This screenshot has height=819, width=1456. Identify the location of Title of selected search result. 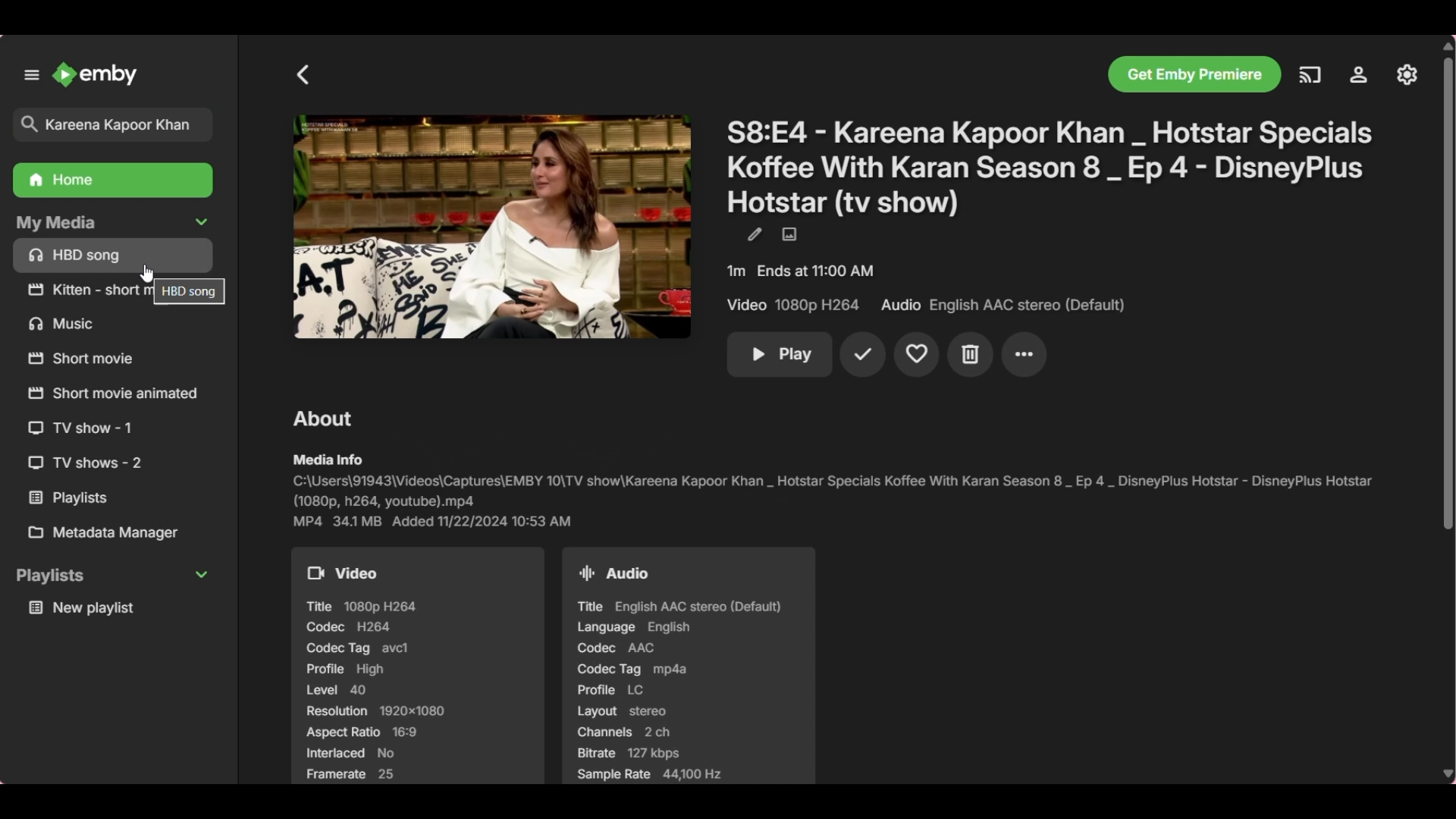
(118, 126).